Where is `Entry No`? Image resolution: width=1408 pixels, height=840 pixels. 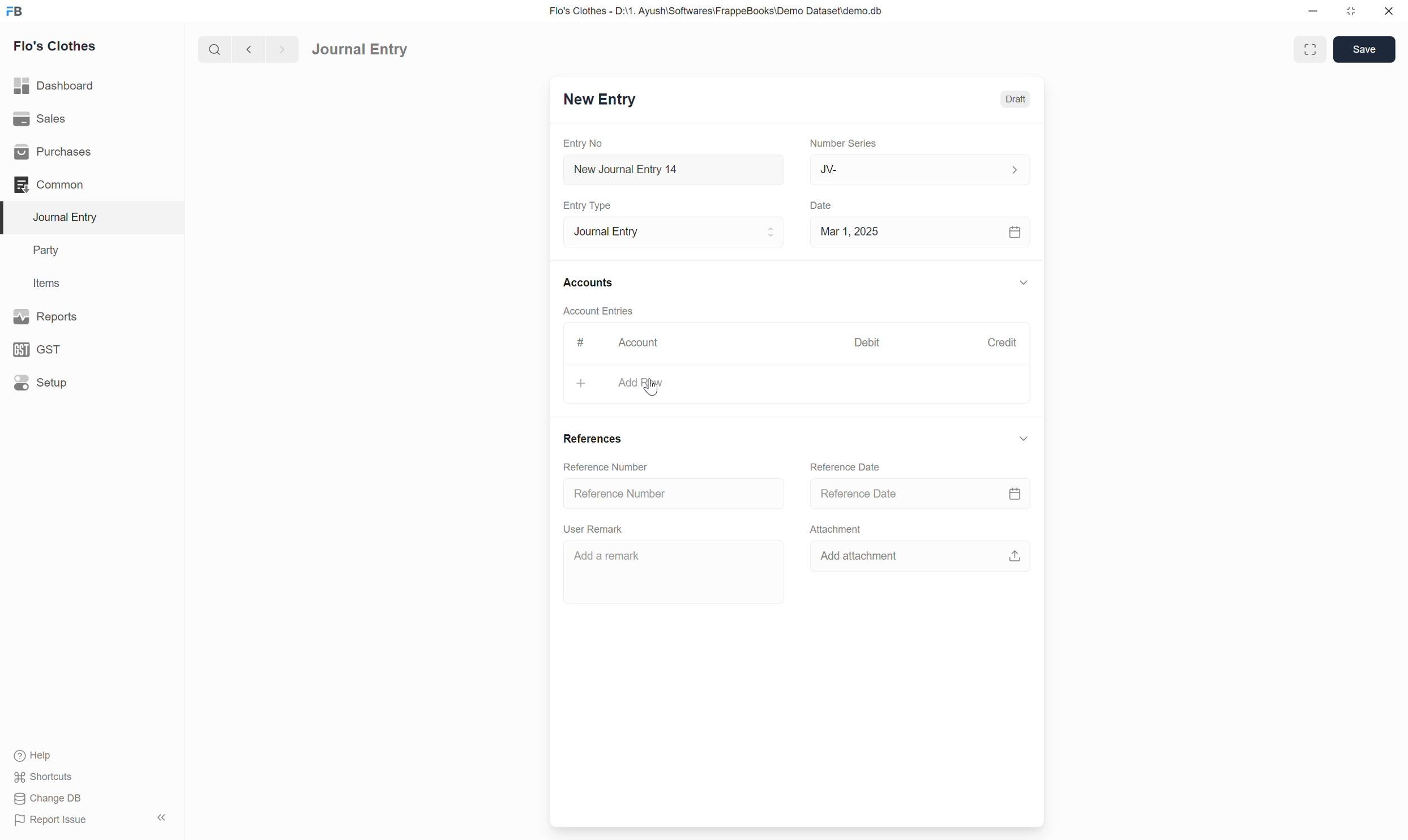
Entry No is located at coordinates (585, 143).